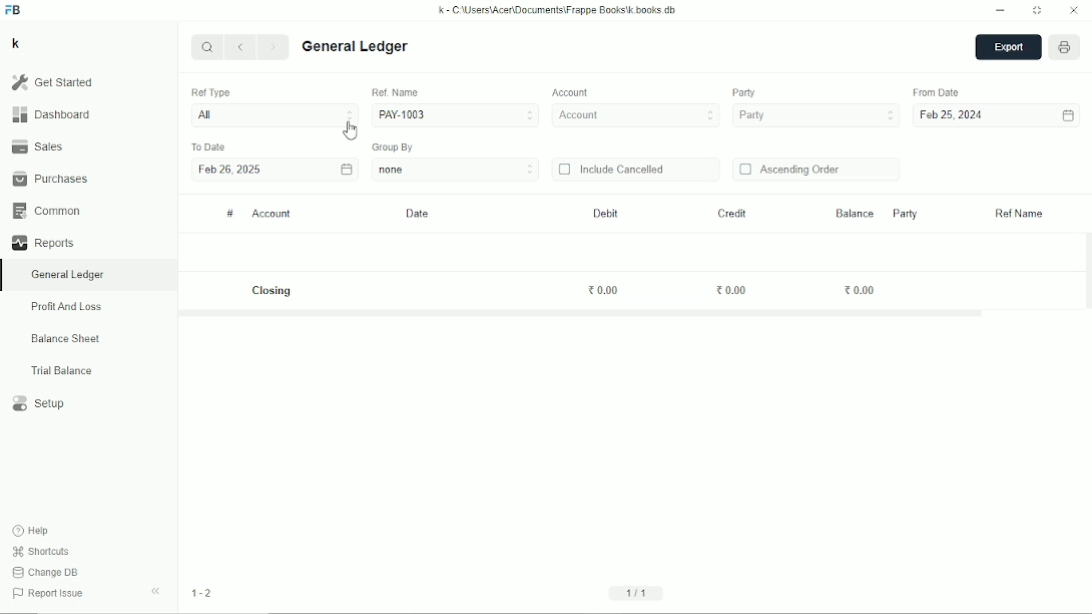  Describe the element at coordinates (572, 93) in the screenshot. I see `Account` at that location.